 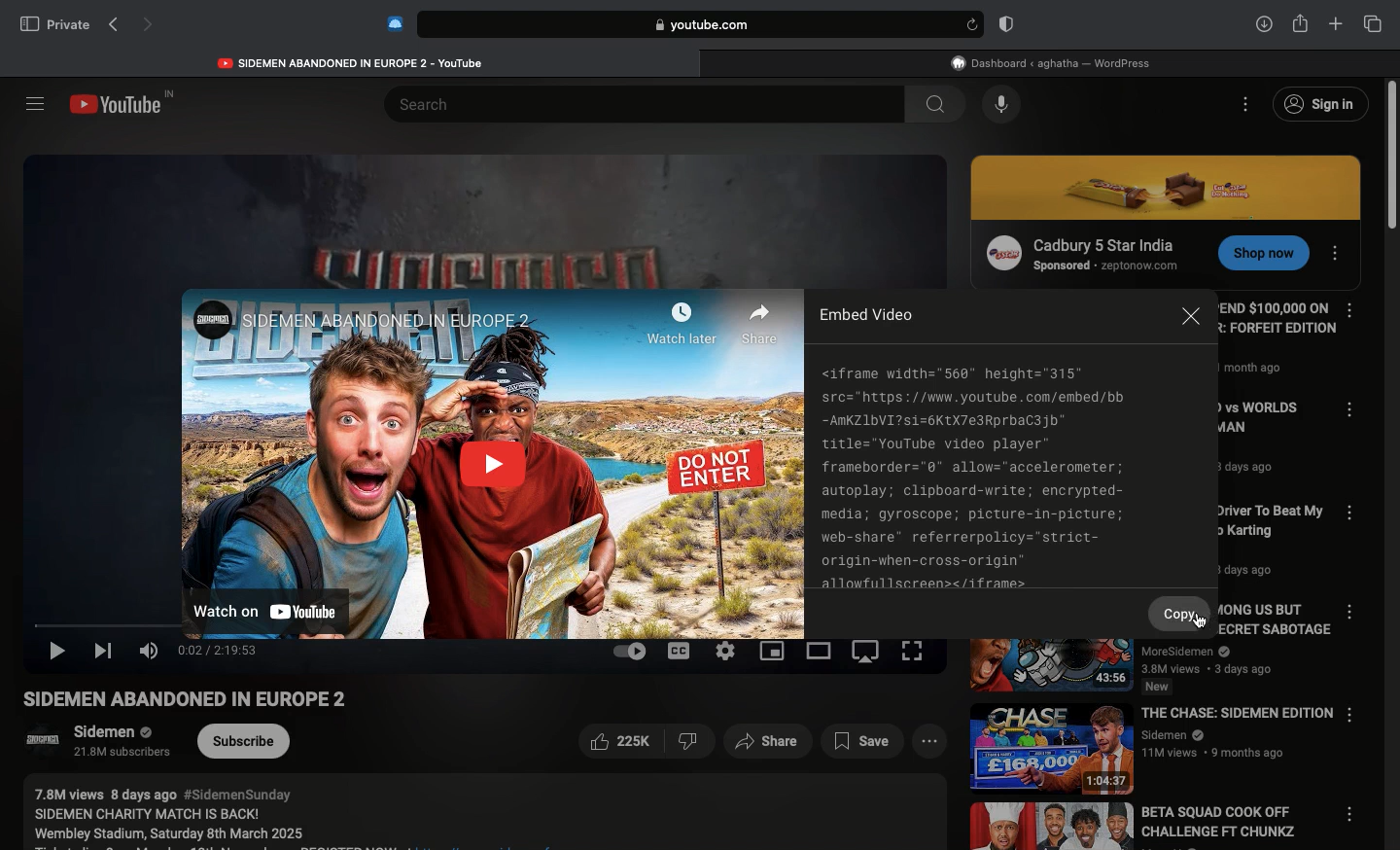 What do you see at coordinates (629, 651) in the screenshot?
I see `Auto` at bounding box center [629, 651].